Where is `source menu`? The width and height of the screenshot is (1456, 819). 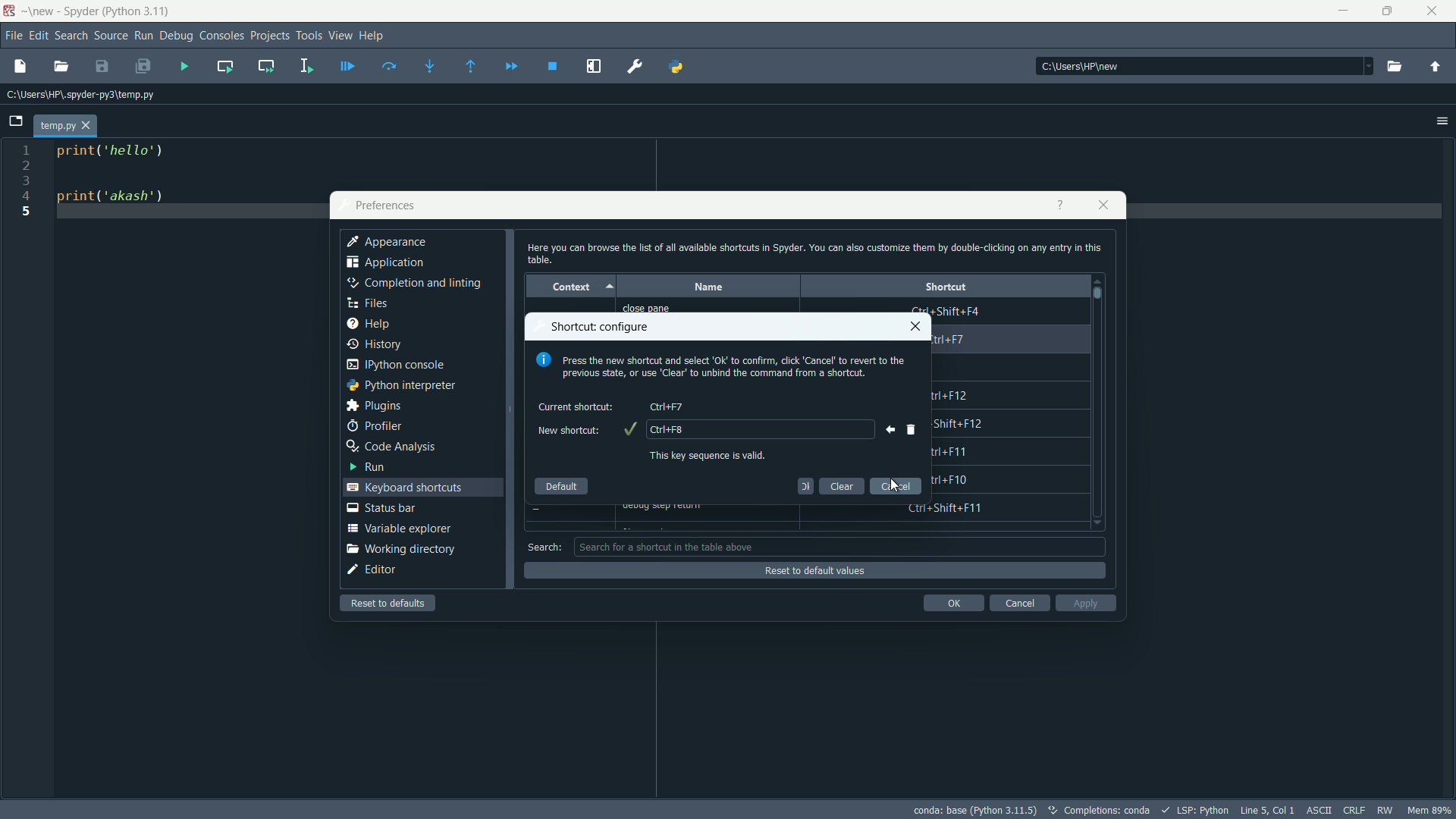
source menu is located at coordinates (112, 36).